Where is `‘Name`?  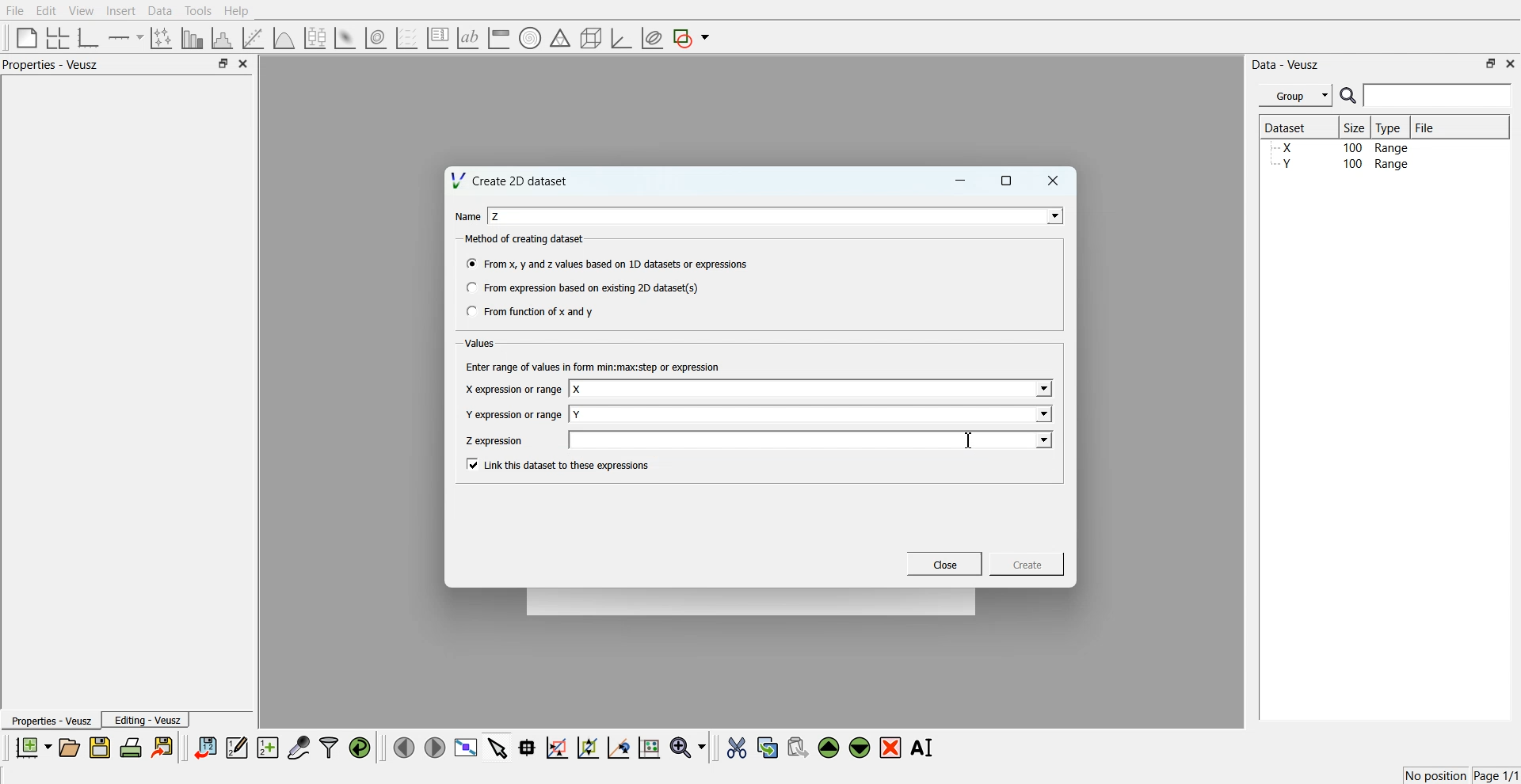 ‘Name is located at coordinates (466, 217).